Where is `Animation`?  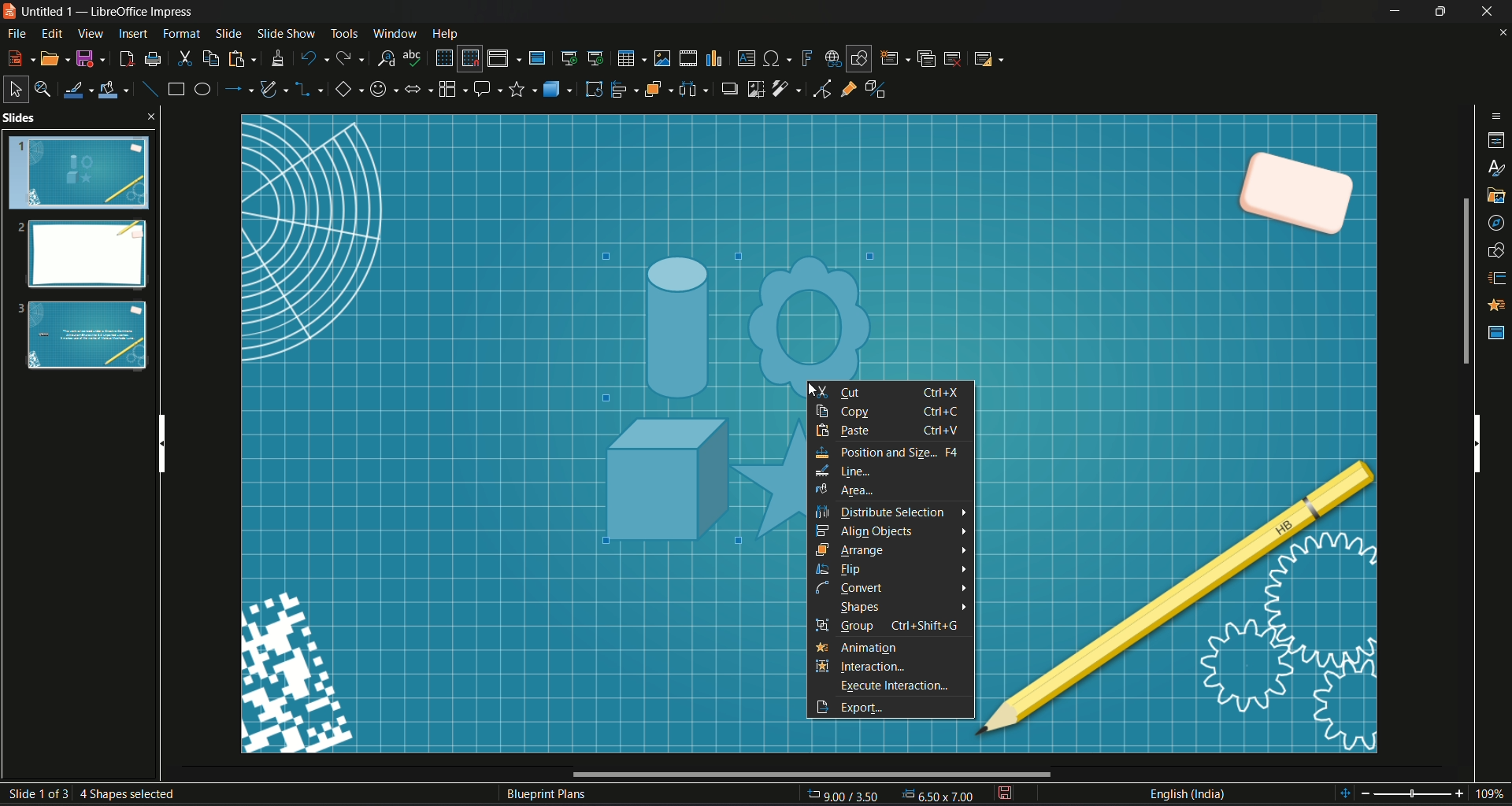 Animation is located at coordinates (1498, 305).